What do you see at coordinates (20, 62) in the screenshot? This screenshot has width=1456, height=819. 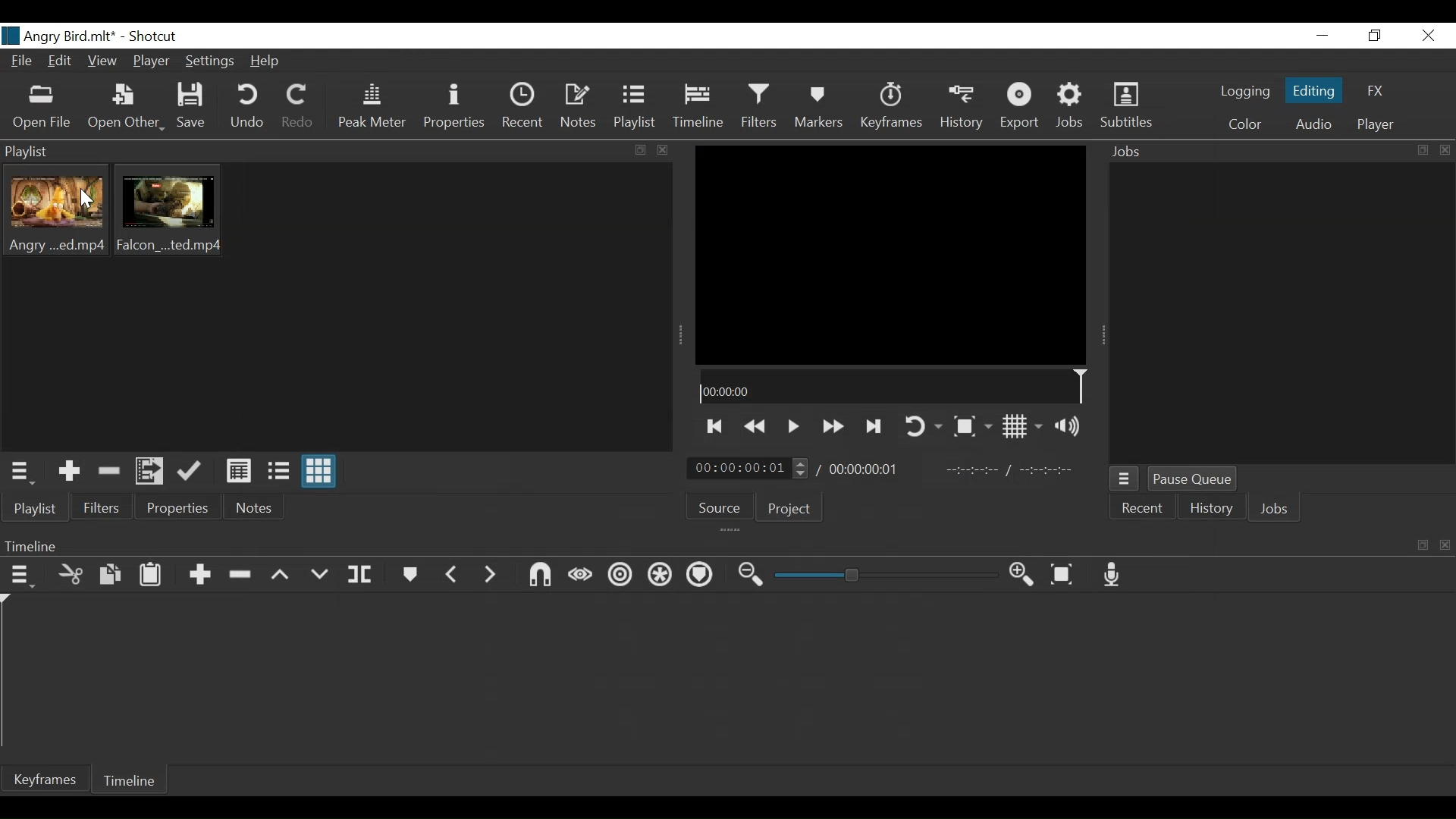 I see `File` at bounding box center [20, 62].